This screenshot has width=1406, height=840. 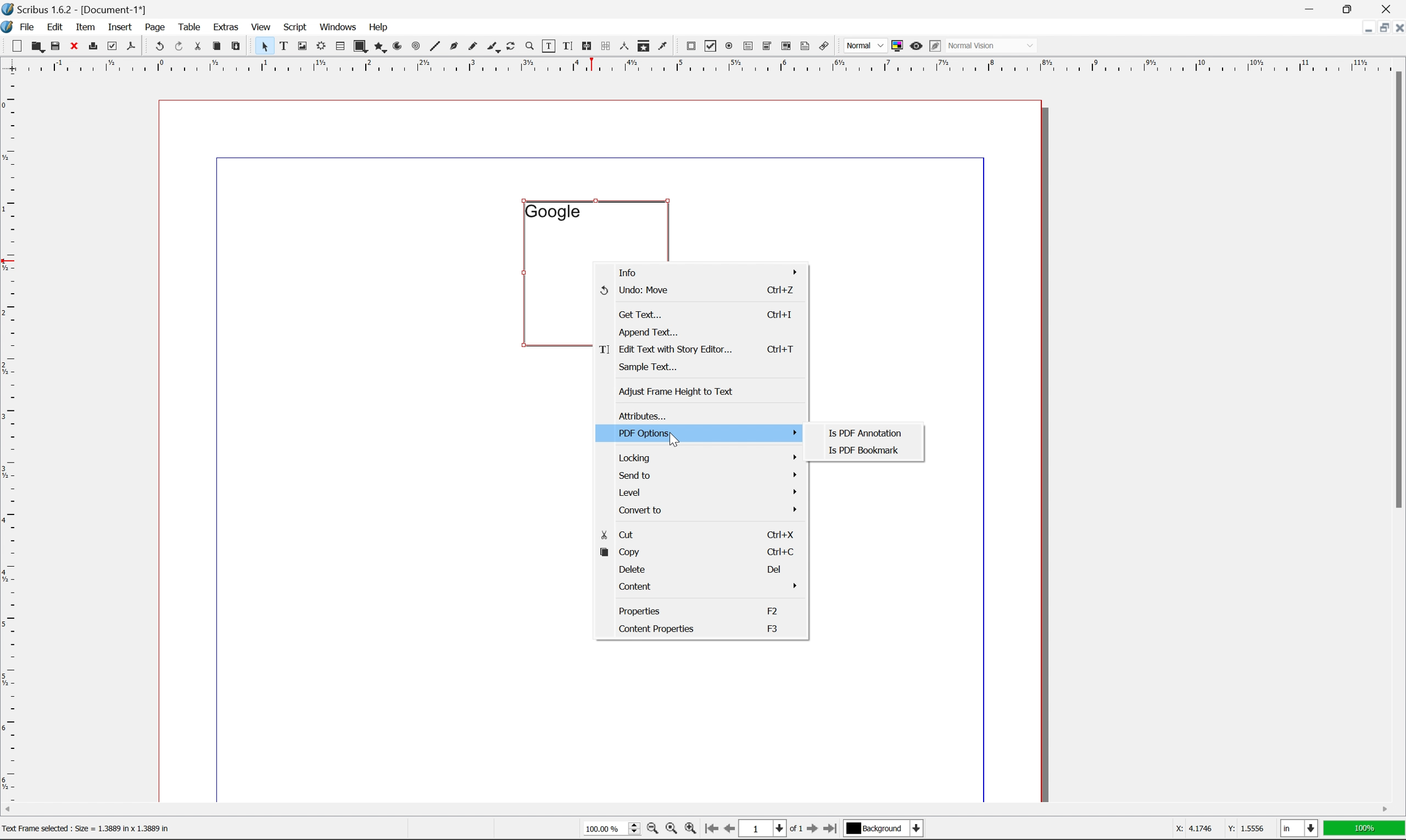 What do you see at coordinates (340, 47) in the screenshot?
I see `table` at bounding box center [340, 47].